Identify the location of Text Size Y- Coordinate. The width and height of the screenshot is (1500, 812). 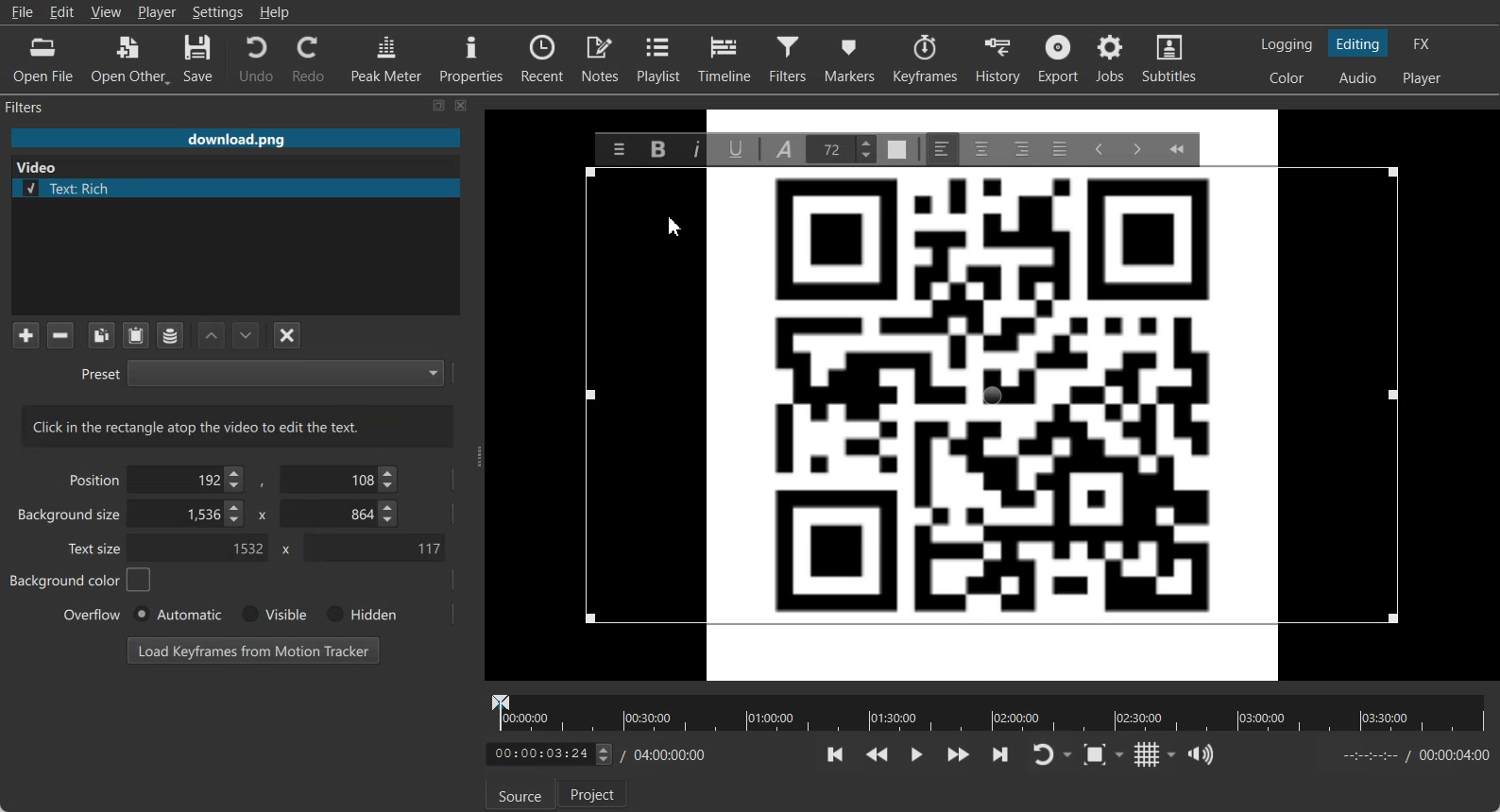
(374, 547).